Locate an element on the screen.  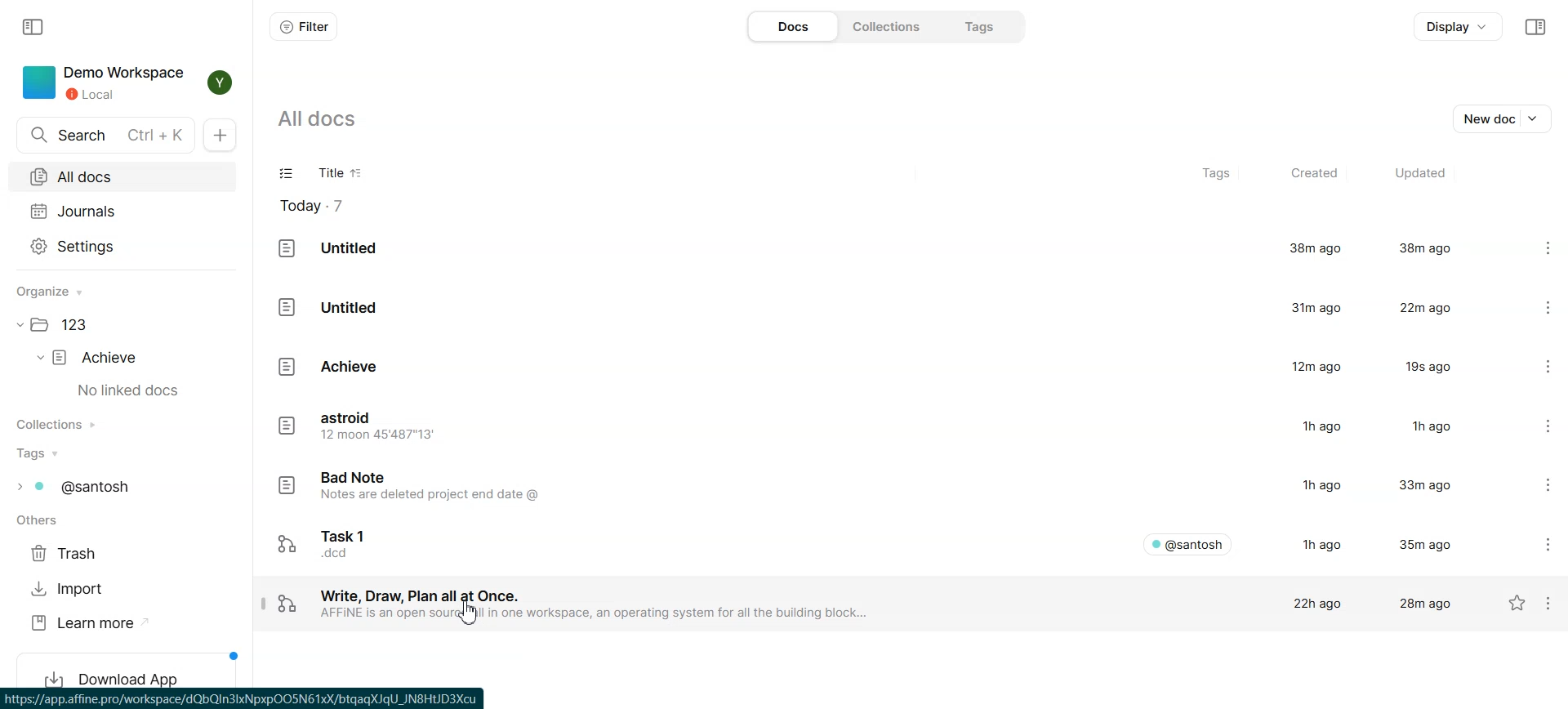
Updated is located at coordinates (1419, 174).